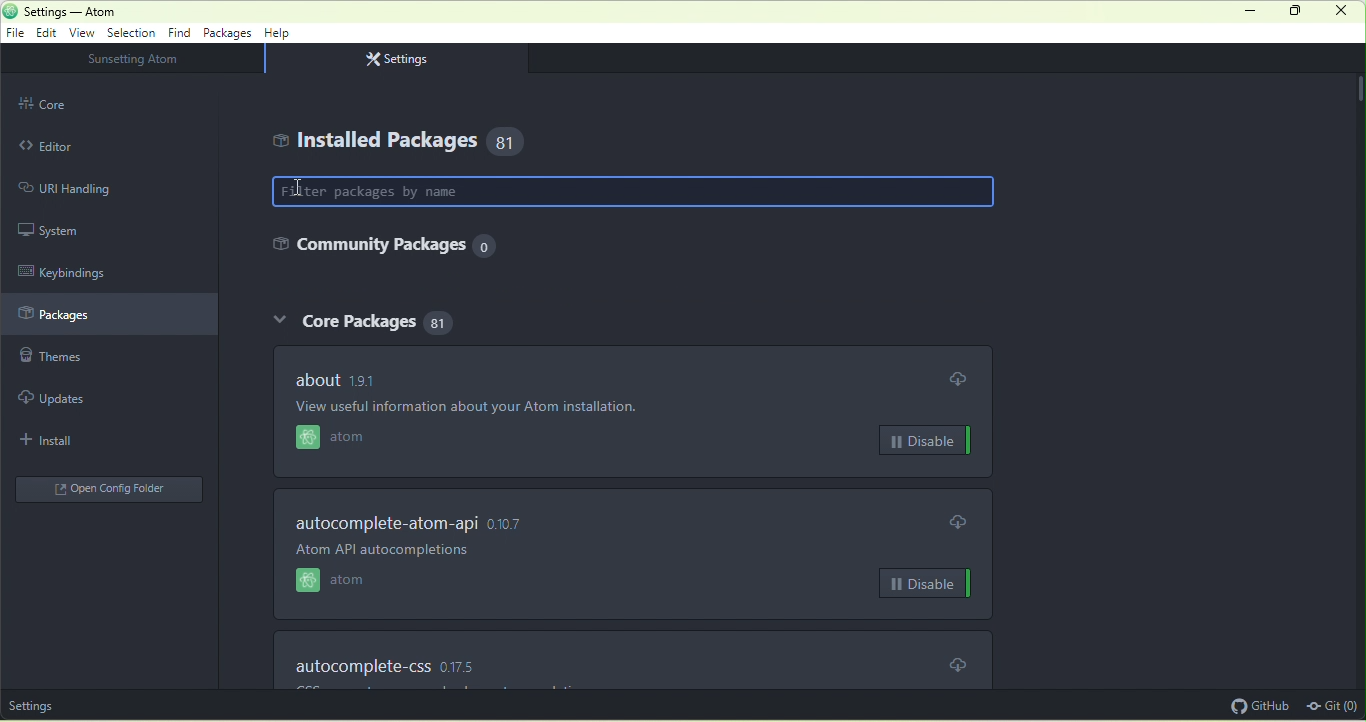  Describe the element at coordinates (9, 11) in the screenshot. I see `atom logo` at that location.